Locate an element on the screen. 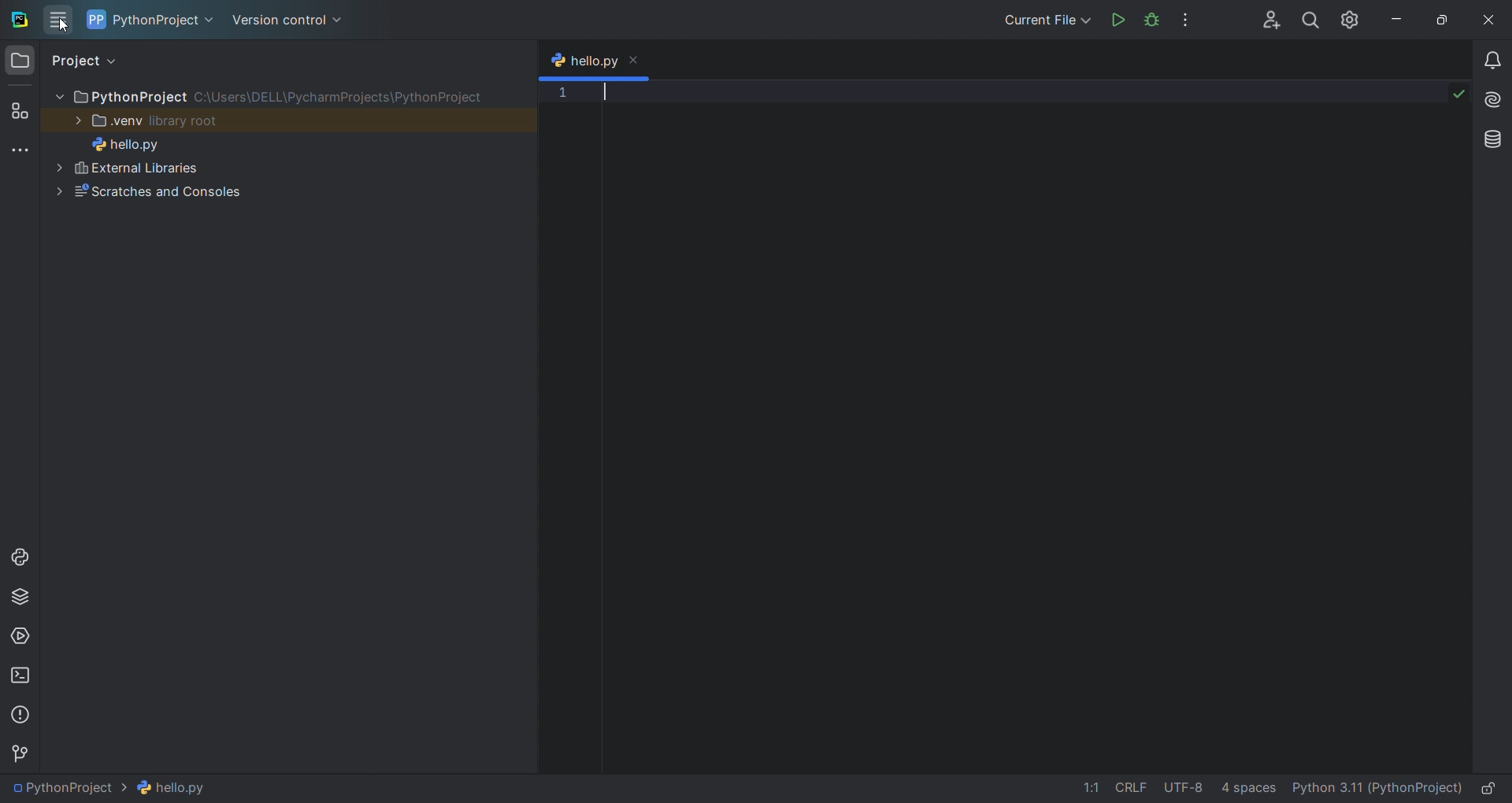  current project is located at coordinates (156, 21).